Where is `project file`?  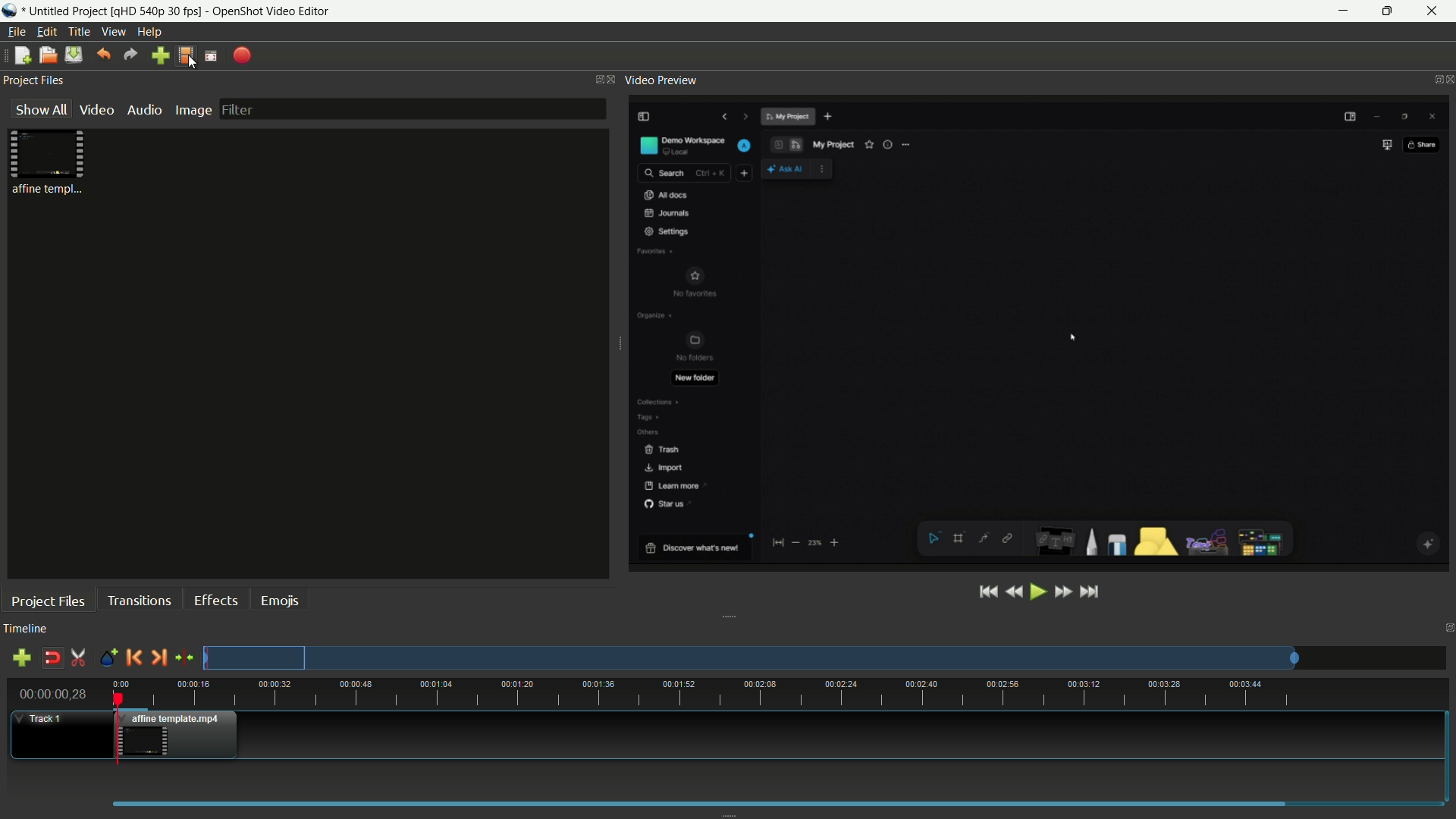
project file is located at coordinates (49, 161).